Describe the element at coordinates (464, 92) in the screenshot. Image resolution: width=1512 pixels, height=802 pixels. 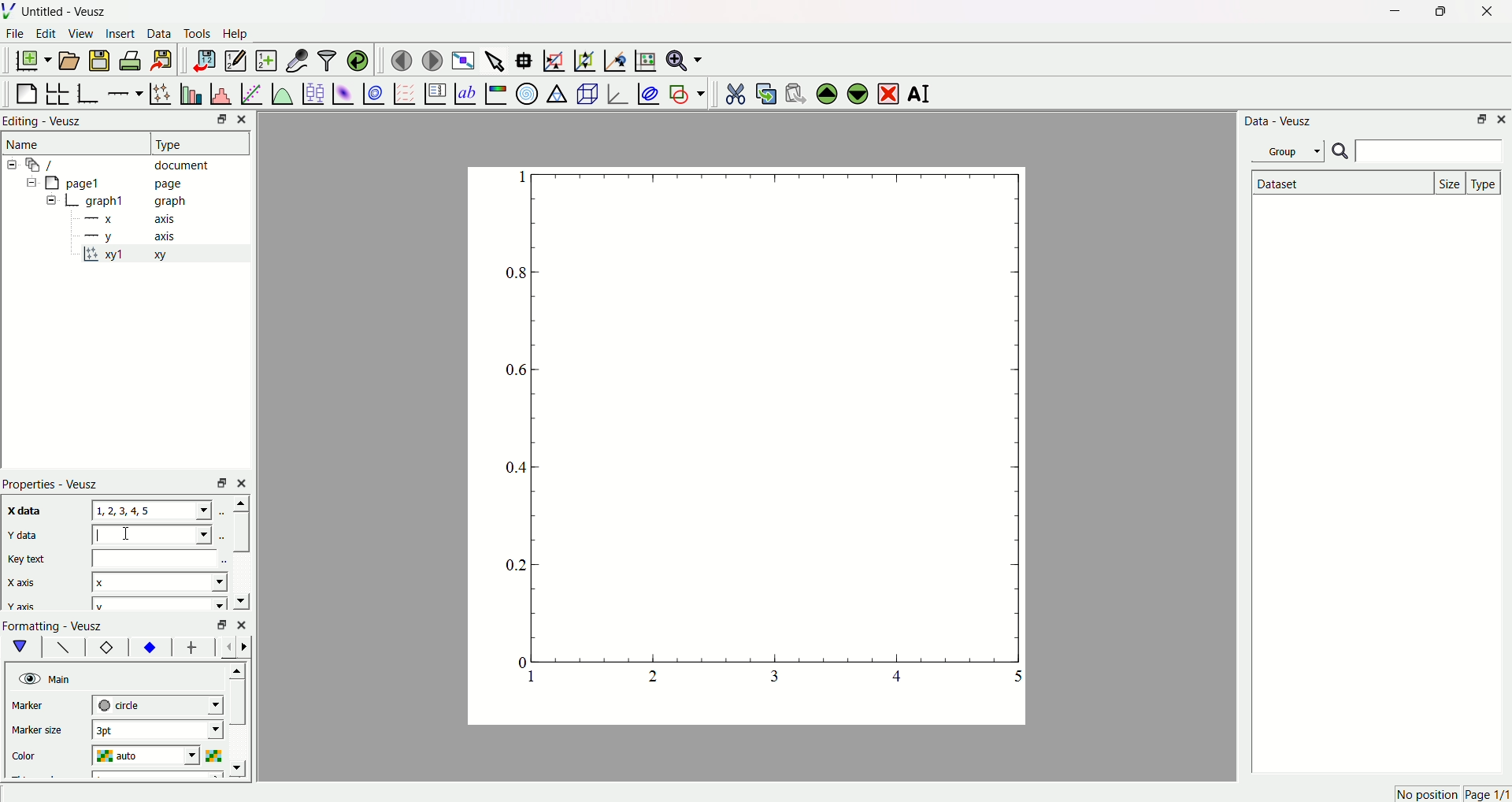
I see `text label` at that location.